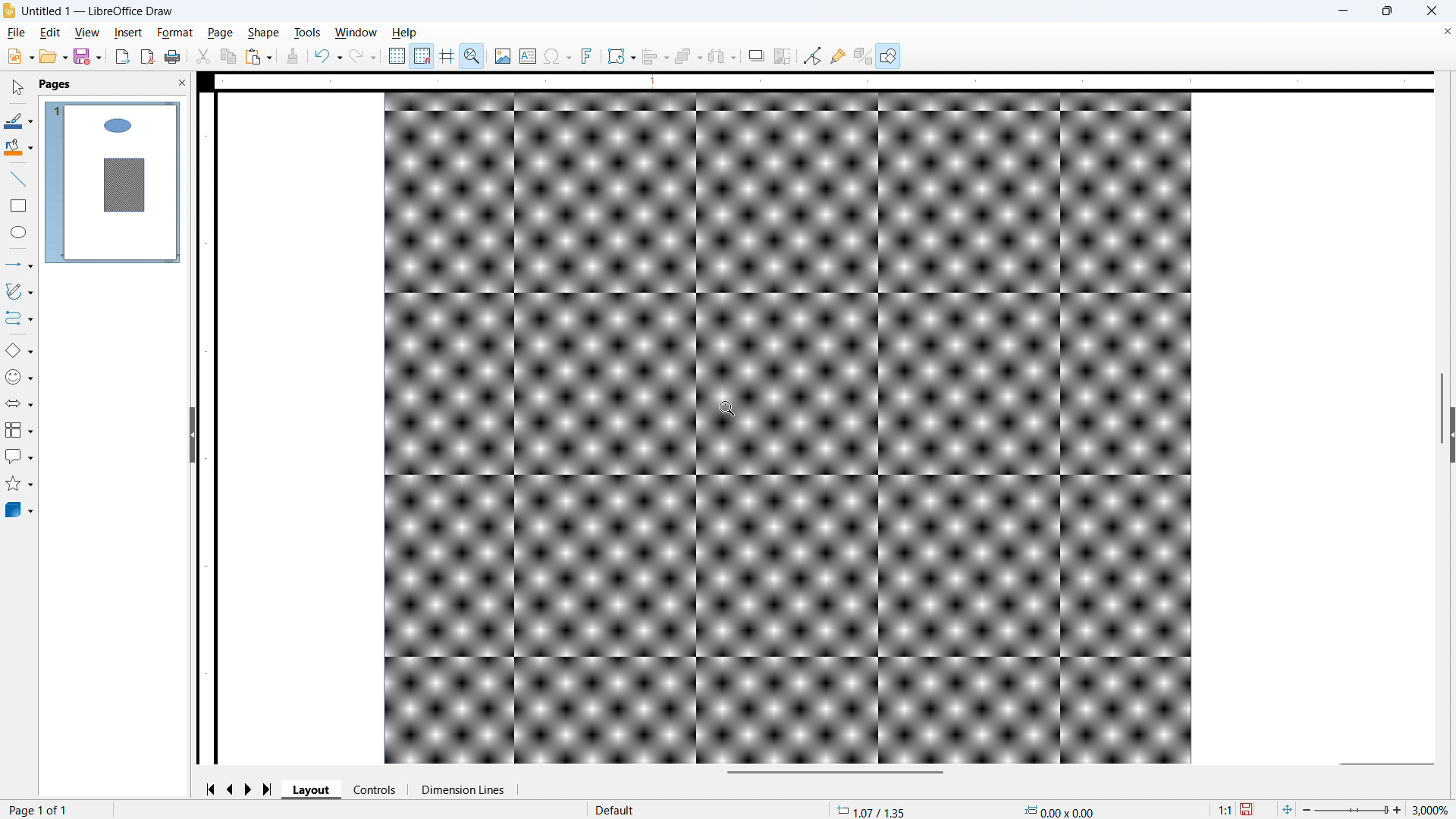 The height and width of the screenshot is (819, 1456). What do you see at coordinates (17, 232) in the screenshot?
I see `Ellipse ` at bounding box center [17, 232].